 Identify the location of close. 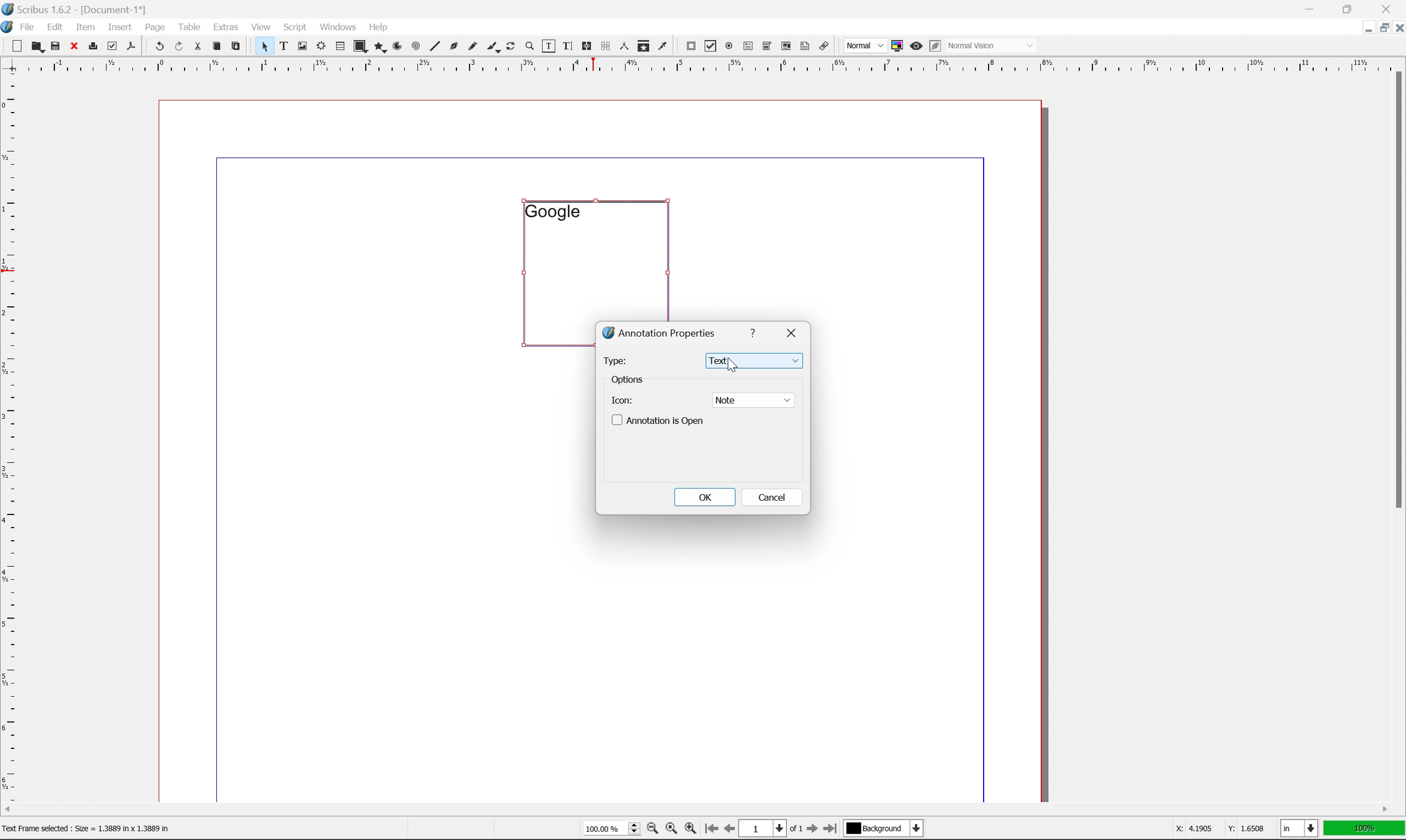
(75, 45).